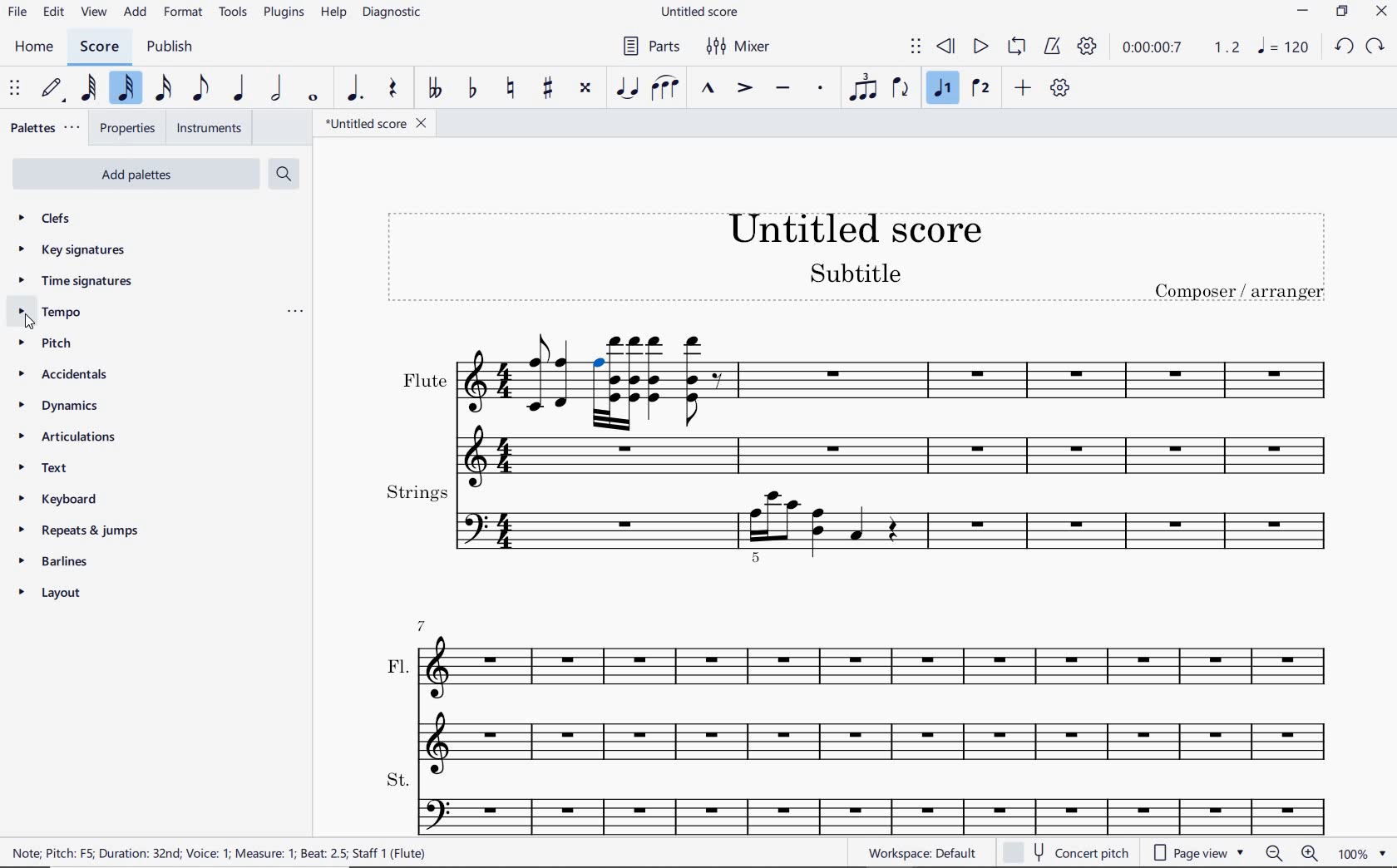 This screenshot has width=1397, height=868. What do you see at coordinates (200, 89) in the screenshot?
I see `EIGHTH NOTE` at bounding box center [200, 89].